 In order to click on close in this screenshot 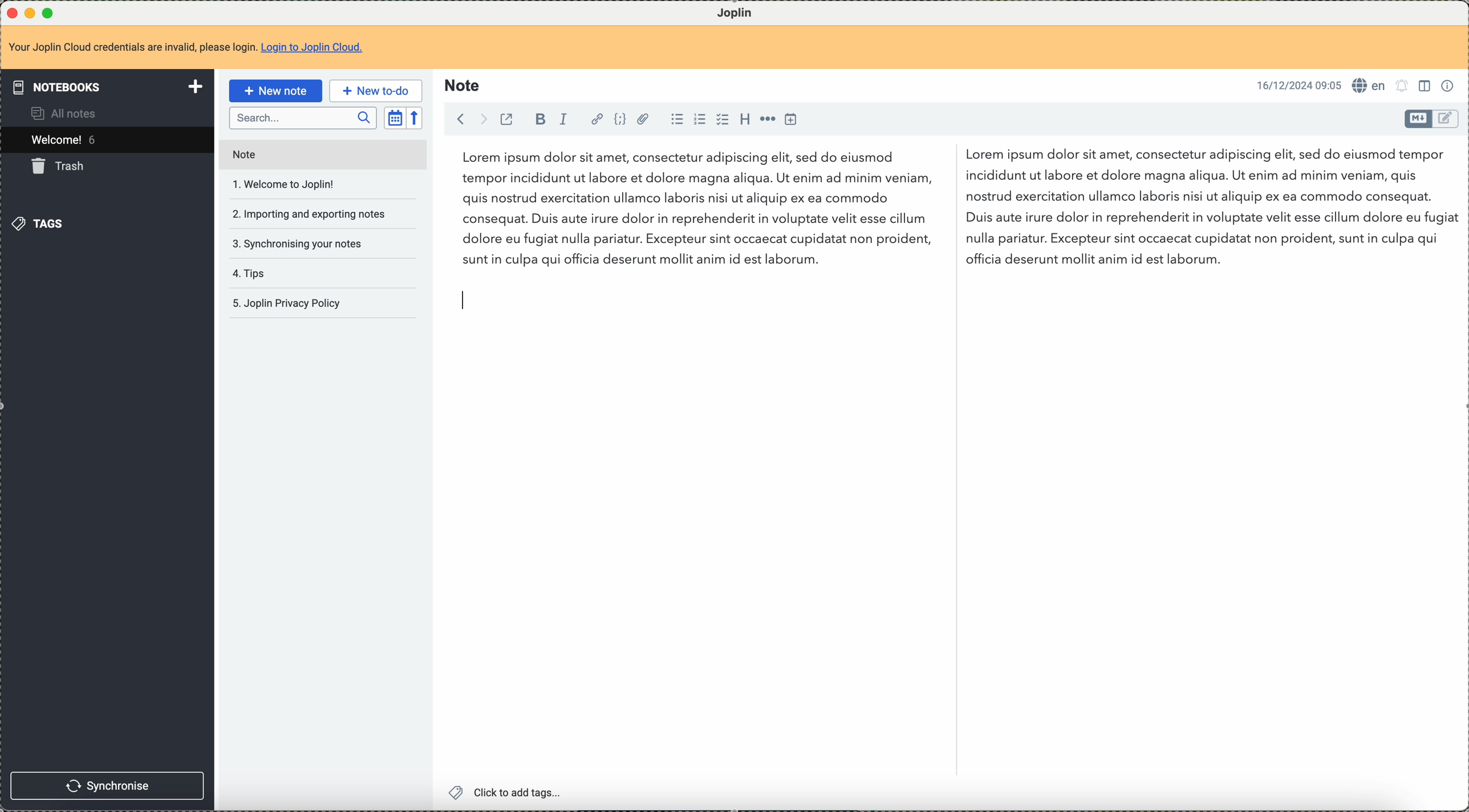, I will do `click(10, 11)`.